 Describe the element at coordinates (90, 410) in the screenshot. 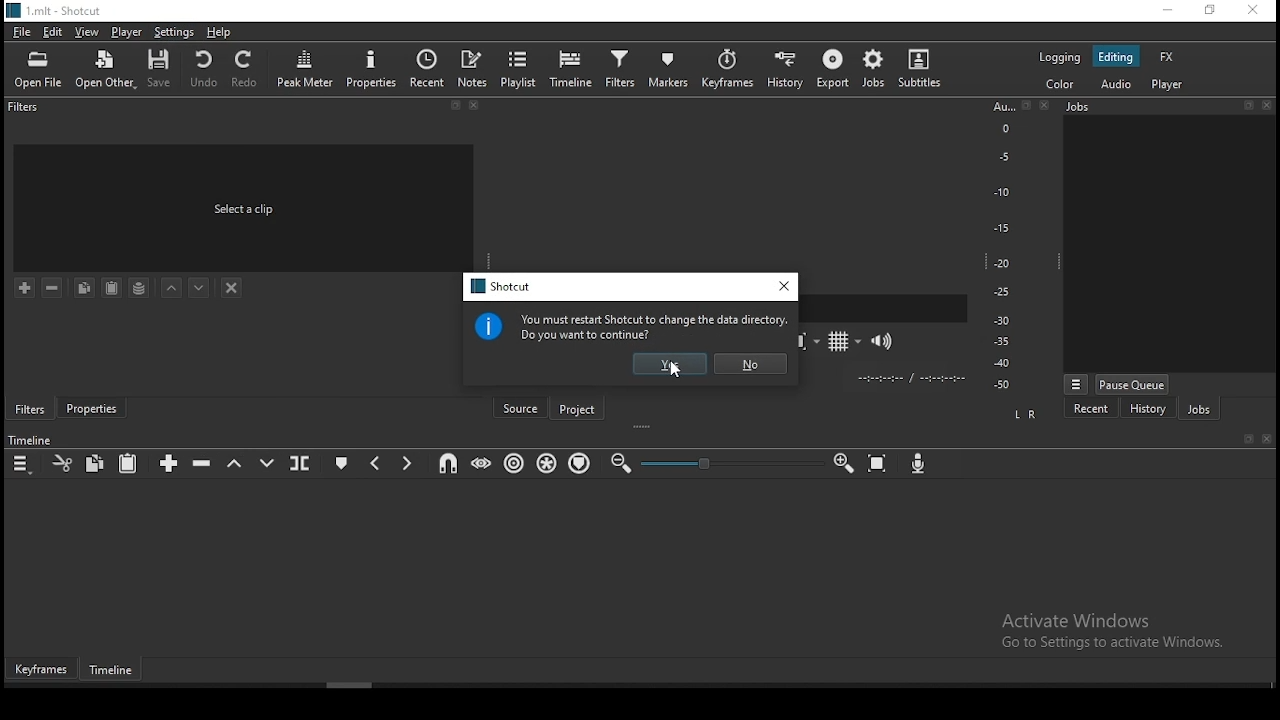

I see `properties` at that location.